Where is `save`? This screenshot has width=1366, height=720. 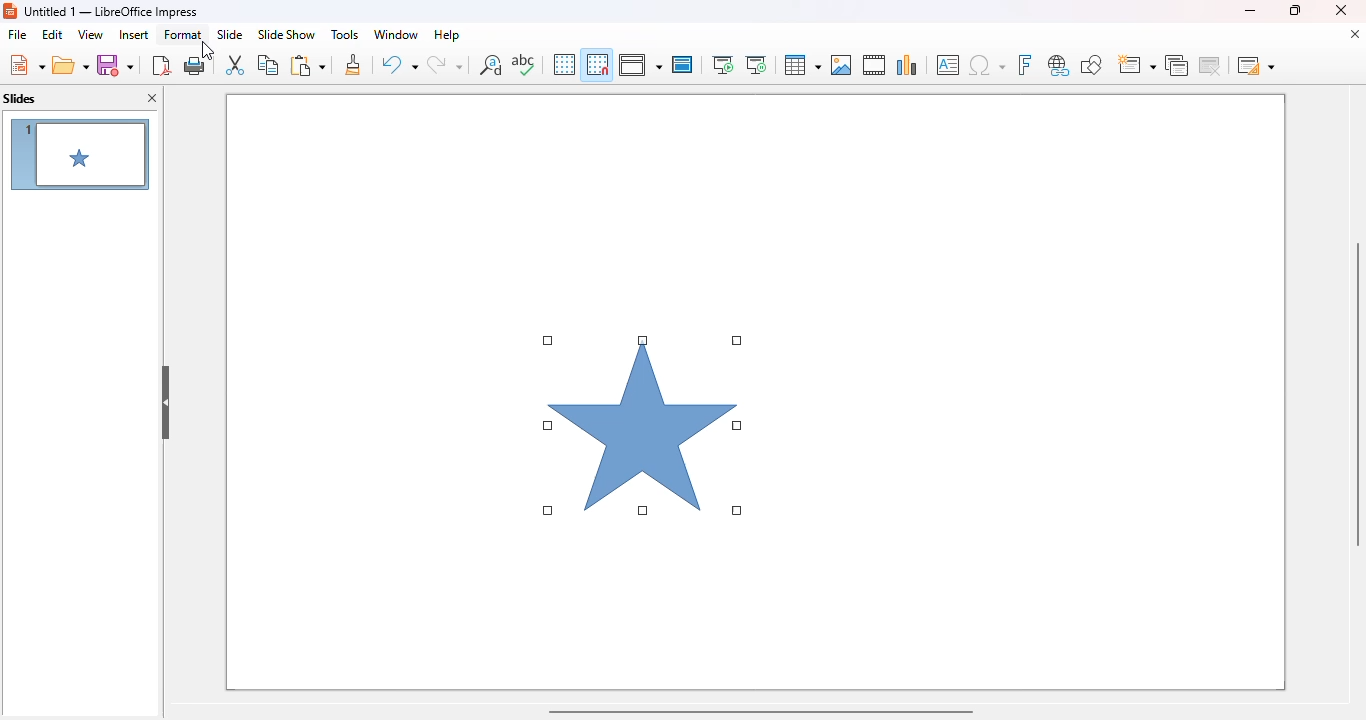 save is located at coordinates (115, 65).